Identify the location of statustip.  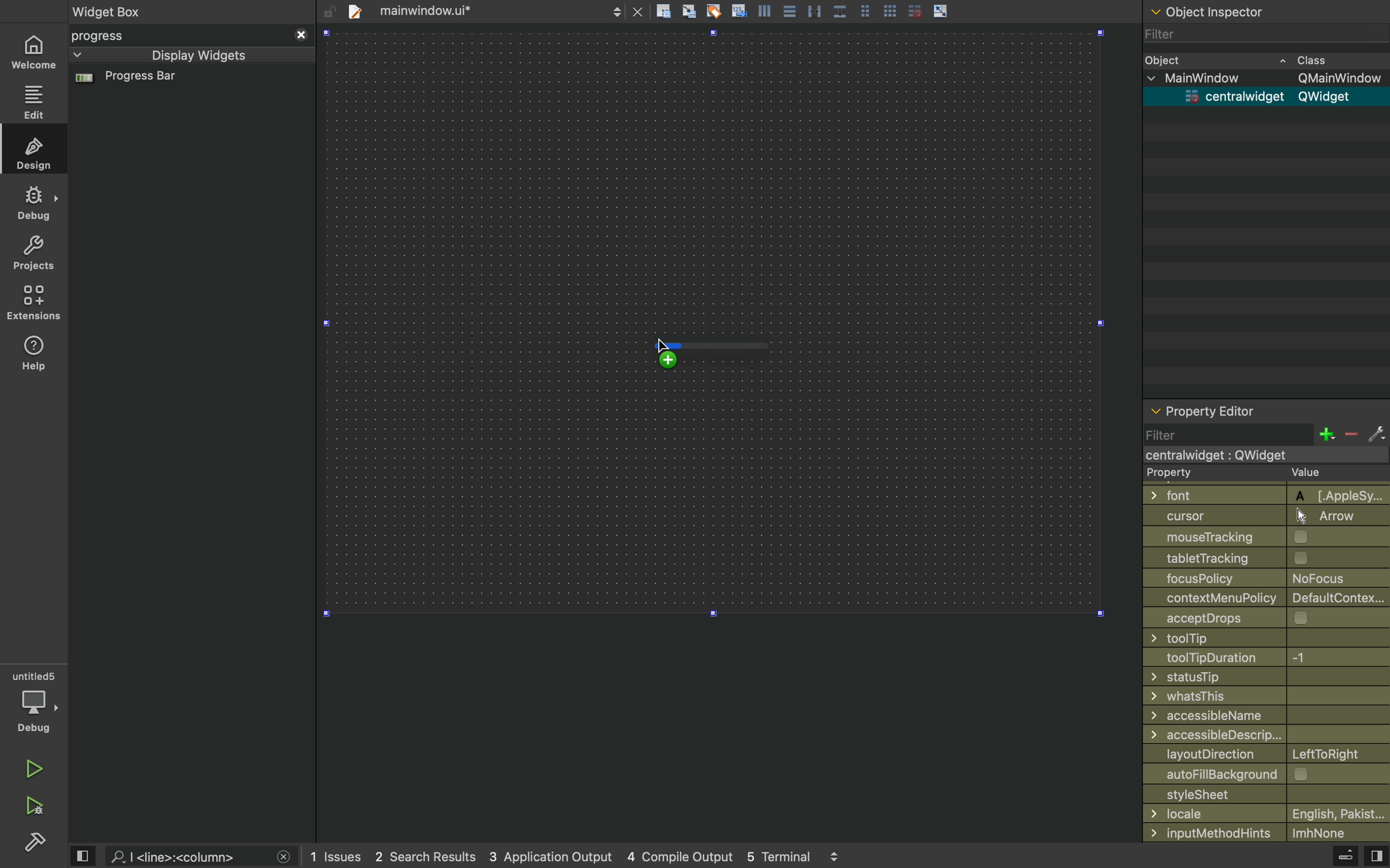
(1262, 676).